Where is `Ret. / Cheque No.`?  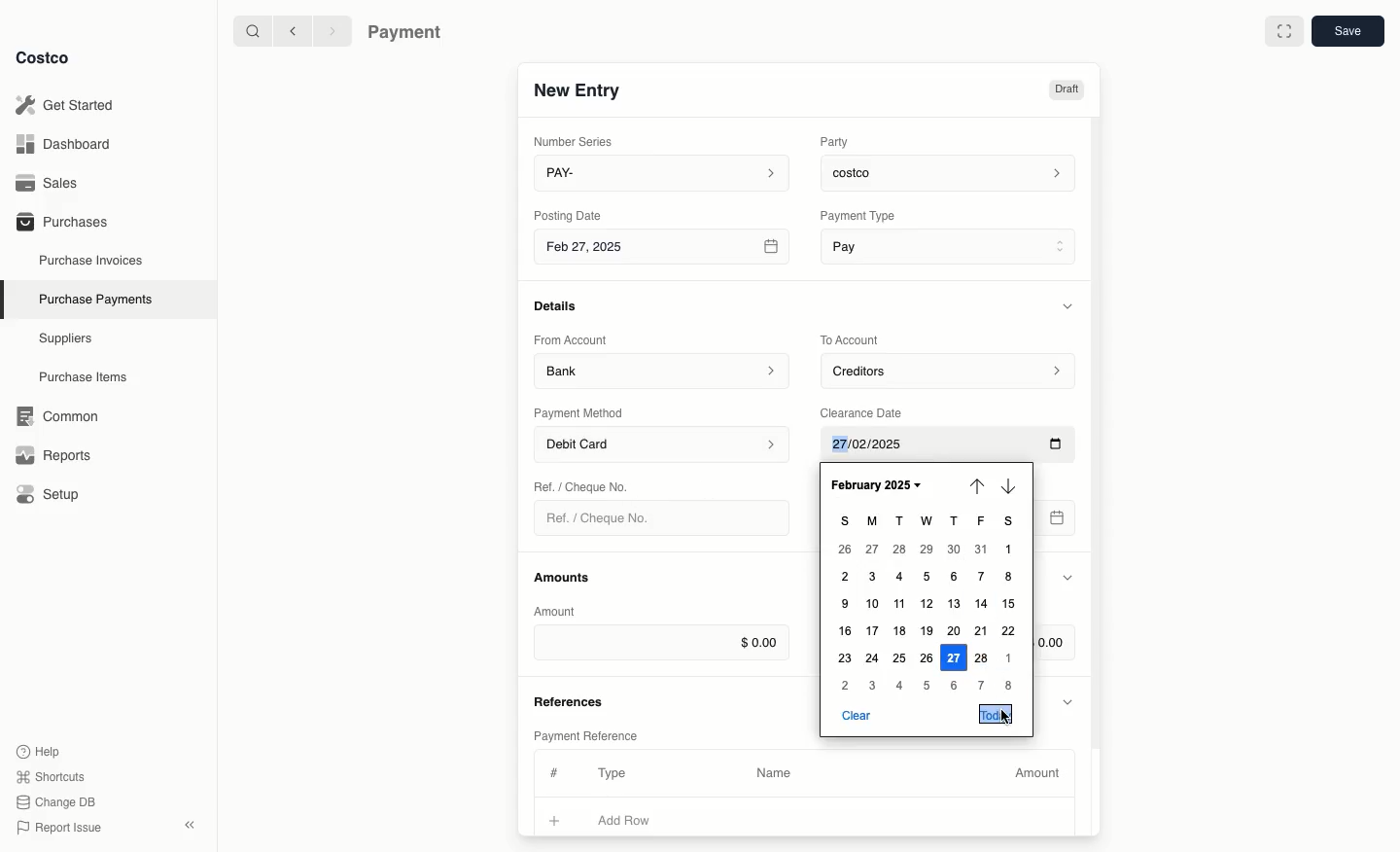
Ret. / Cheque No. is located at coordinates (583, 485).